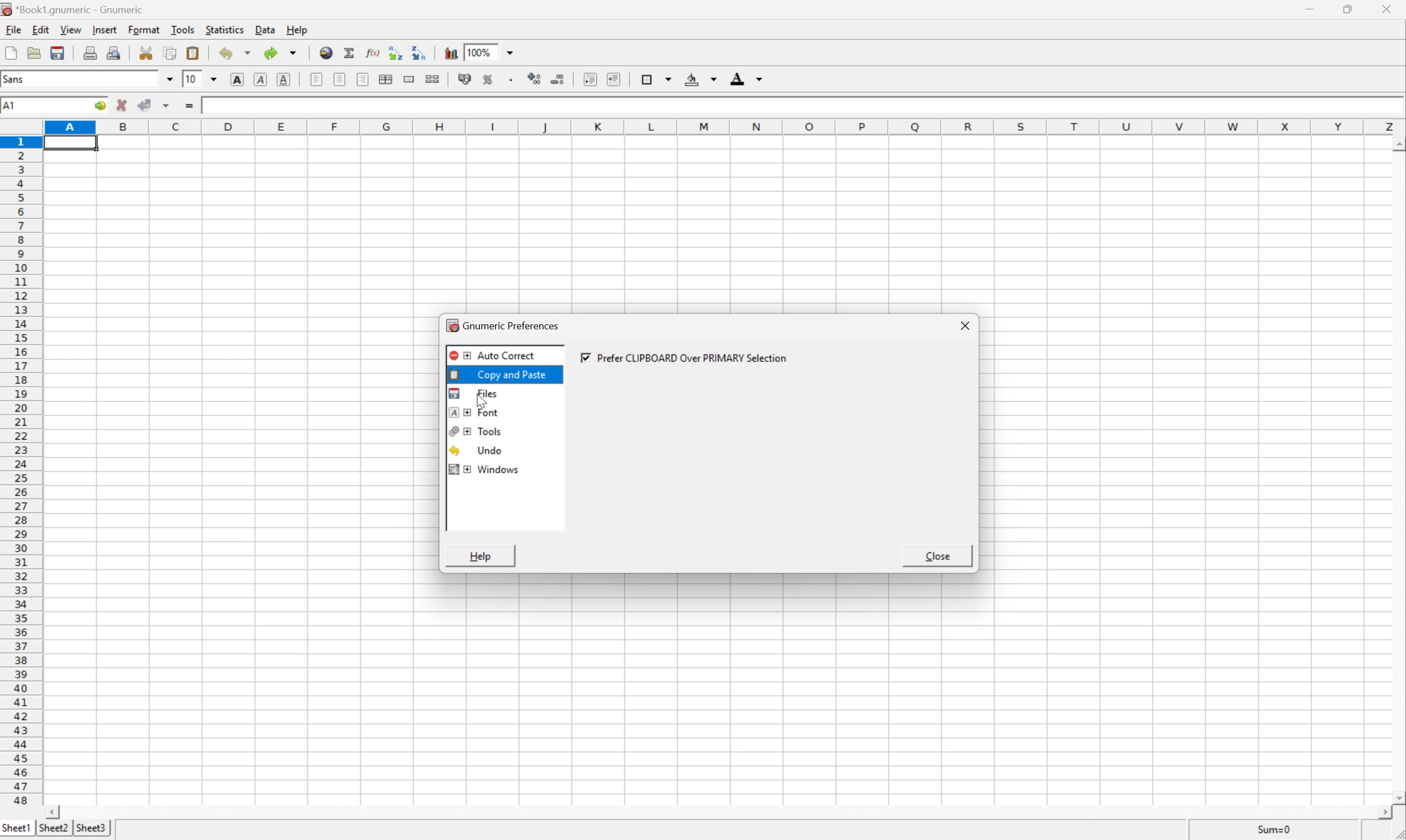 The image size is (1406, 840). Describe the element at coordinates (69, 29) in the screenshot. I see `view` at that location.